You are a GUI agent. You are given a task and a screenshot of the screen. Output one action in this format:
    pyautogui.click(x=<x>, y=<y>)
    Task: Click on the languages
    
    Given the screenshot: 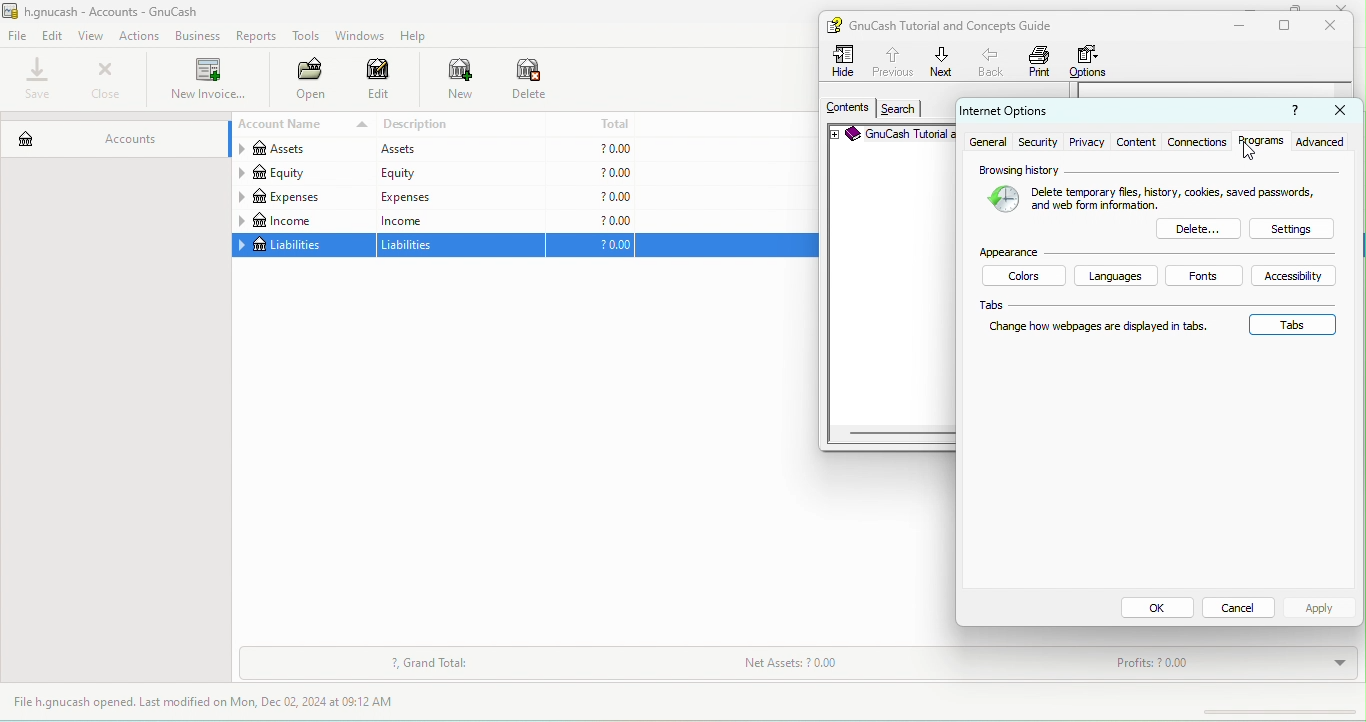 What is the action you would take?
    pyautogui.click(x=1119, y=275)
    